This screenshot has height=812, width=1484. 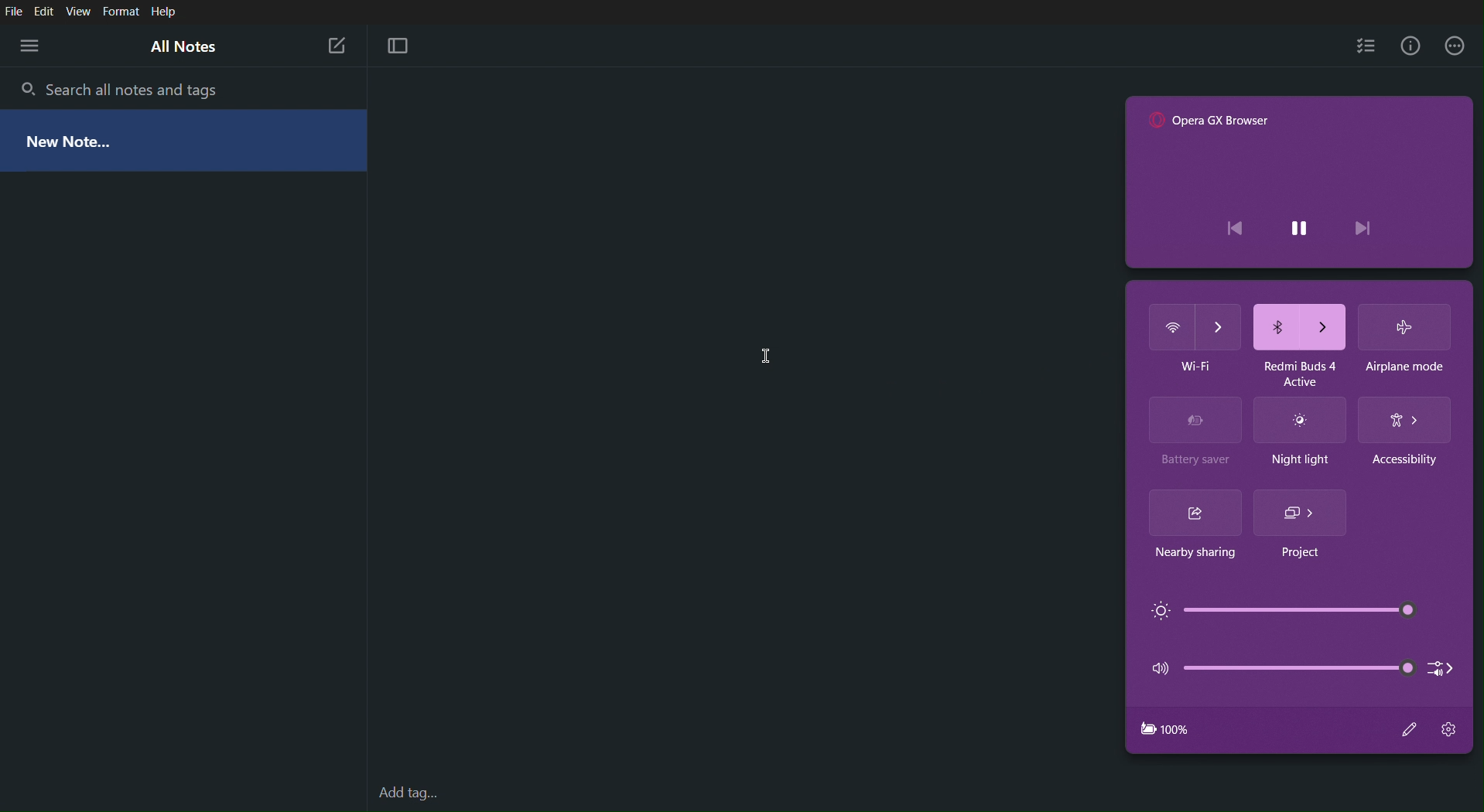 I want to click on "Opera GX Browser, so click(x=1212, y=121).